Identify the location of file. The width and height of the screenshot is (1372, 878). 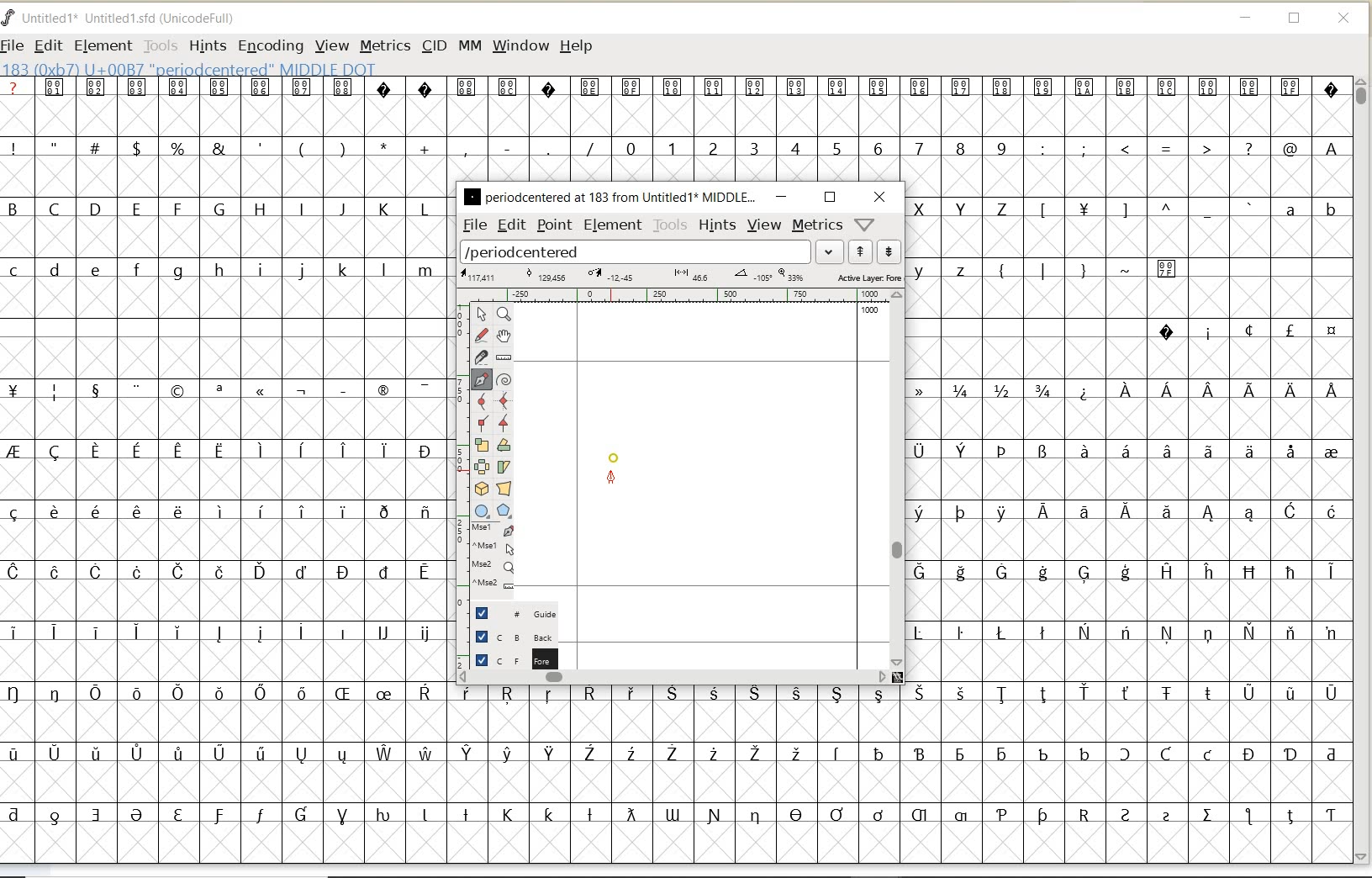
(472, 225).